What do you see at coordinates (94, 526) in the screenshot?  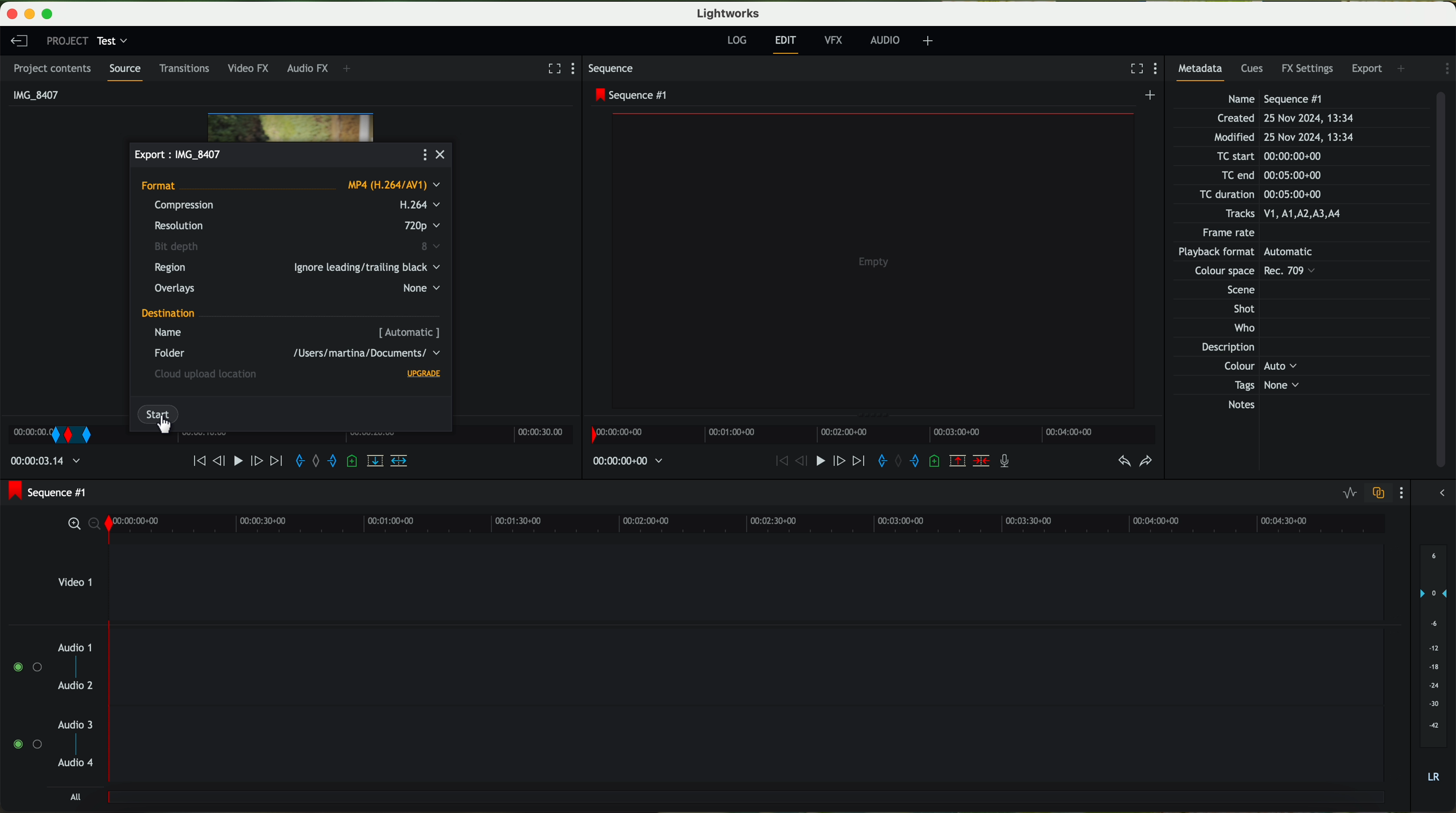 I see `zoom out` at bounding box center [94, 526].